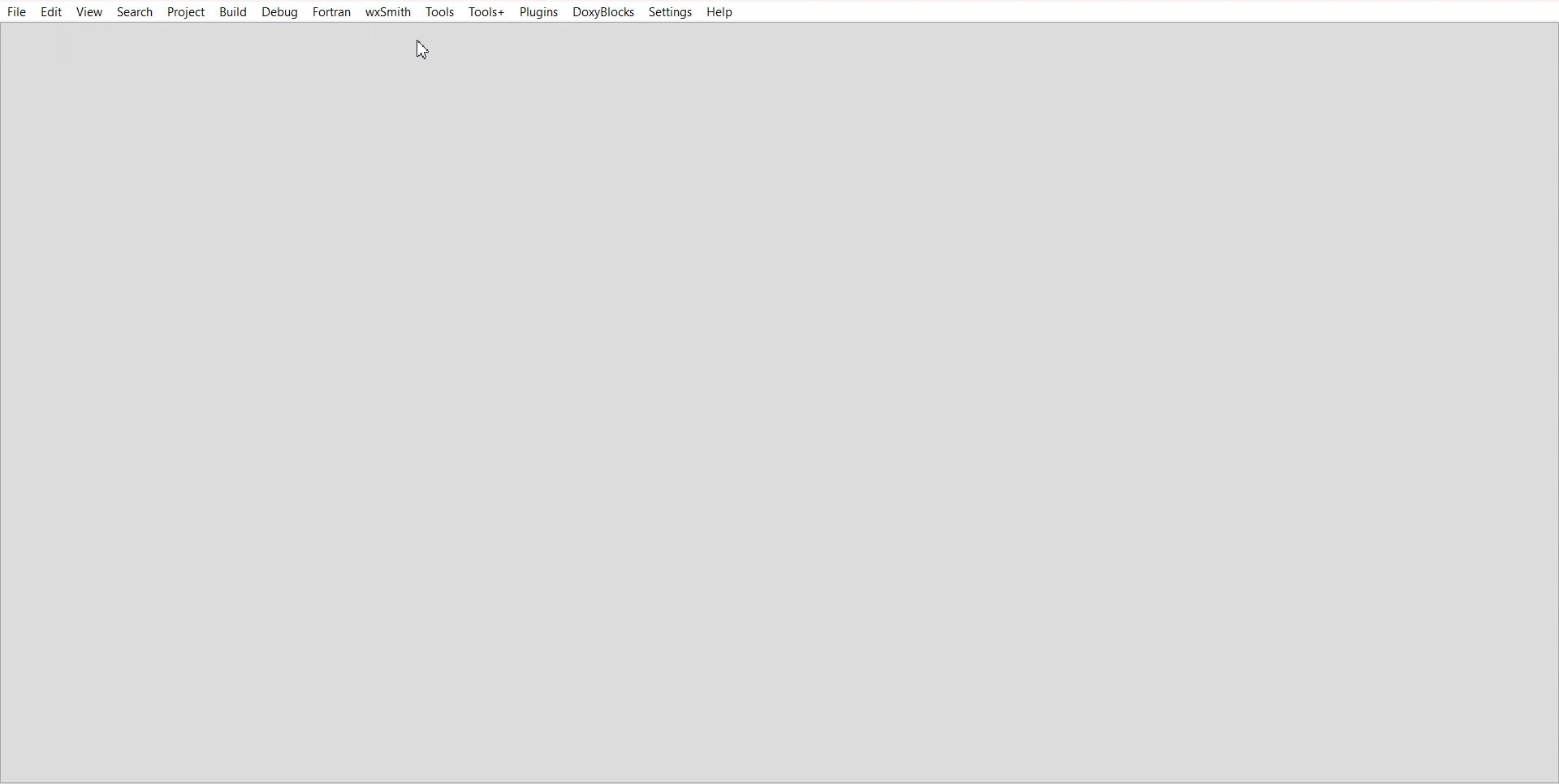 This screenshot has width=1559, height=784. I want to click on View, so click(89, 12).